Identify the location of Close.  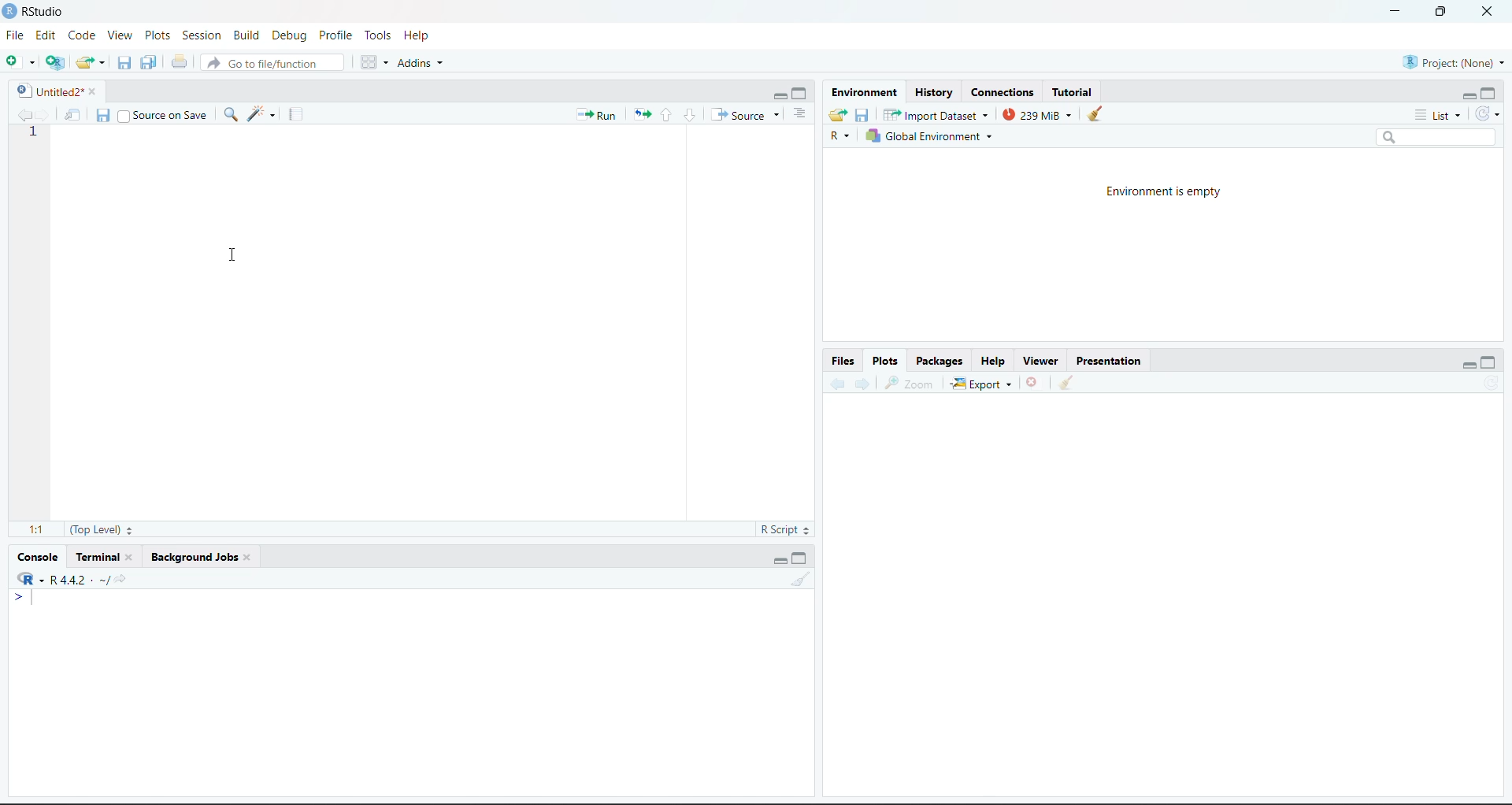
(1484, 13).